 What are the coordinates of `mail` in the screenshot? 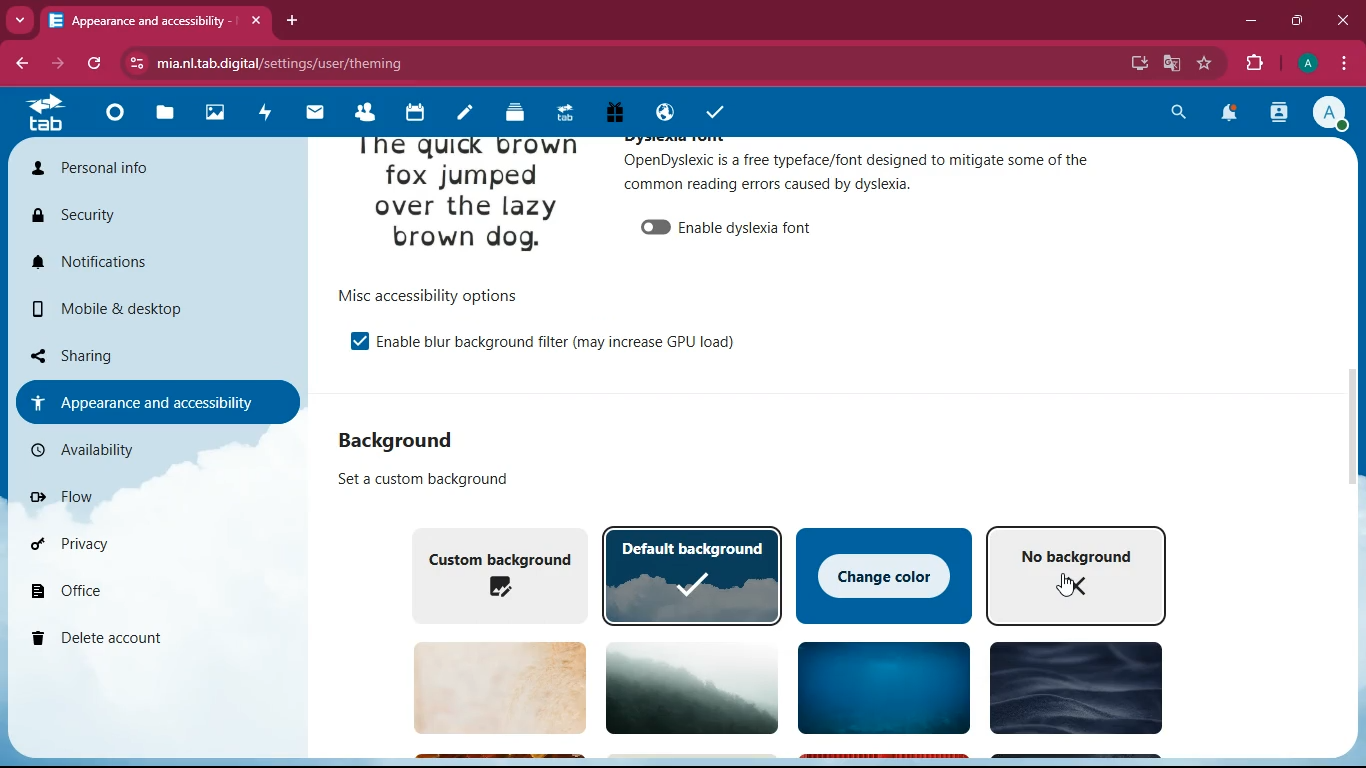 It's located at (313, 114).